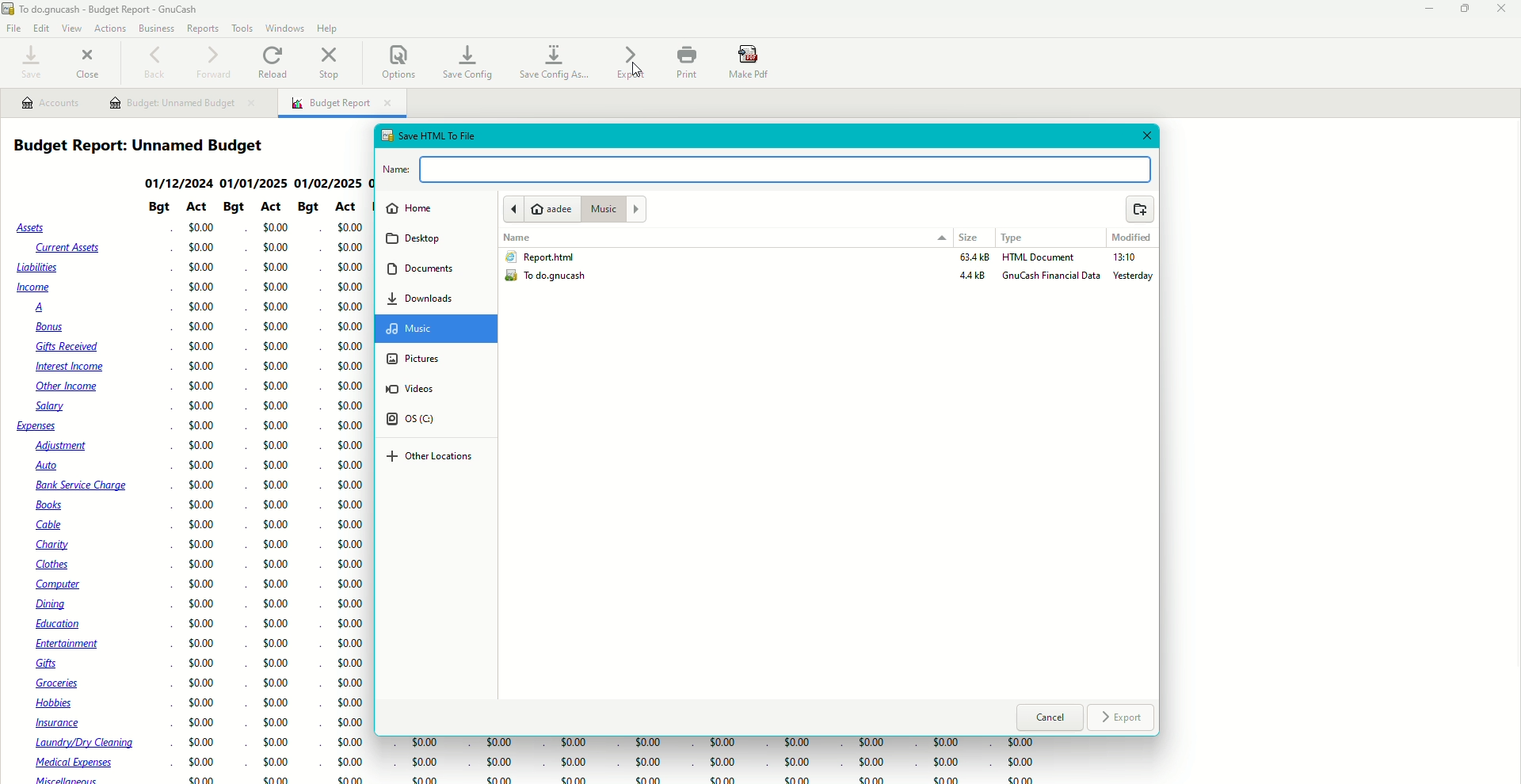 This screenshot has height=784, width=1521. I want to click on Desktop, so click(417, 239).